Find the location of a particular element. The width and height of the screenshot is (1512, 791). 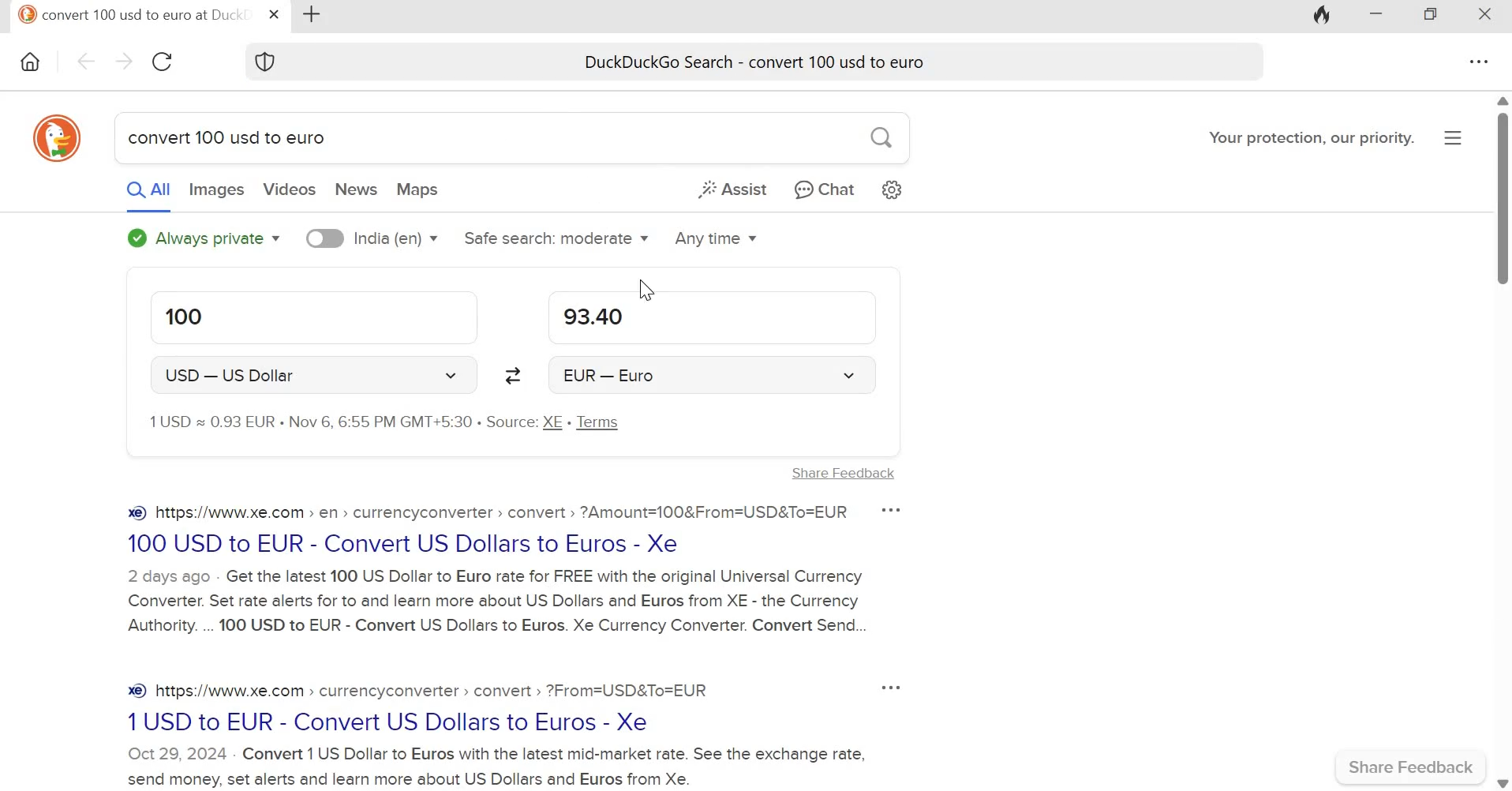

Anytime is located at coordinates (716, 238).